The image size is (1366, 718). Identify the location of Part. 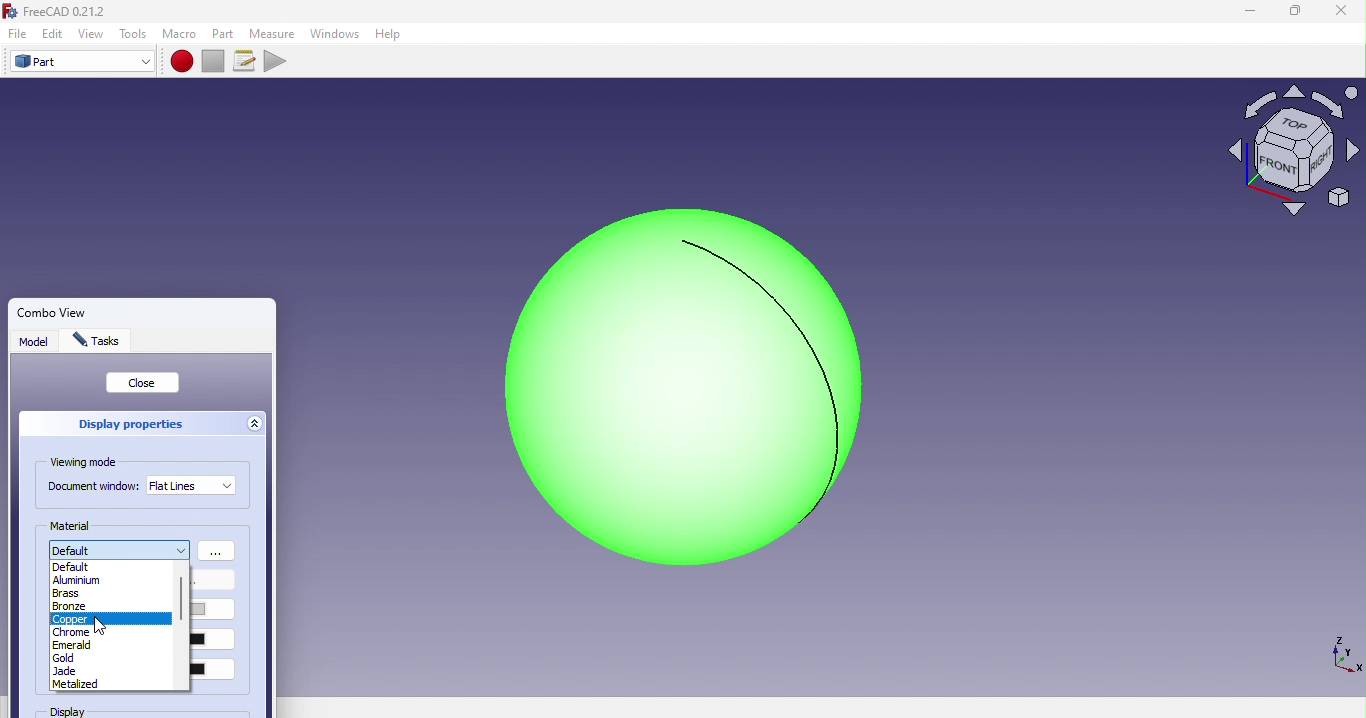
(225, 33).